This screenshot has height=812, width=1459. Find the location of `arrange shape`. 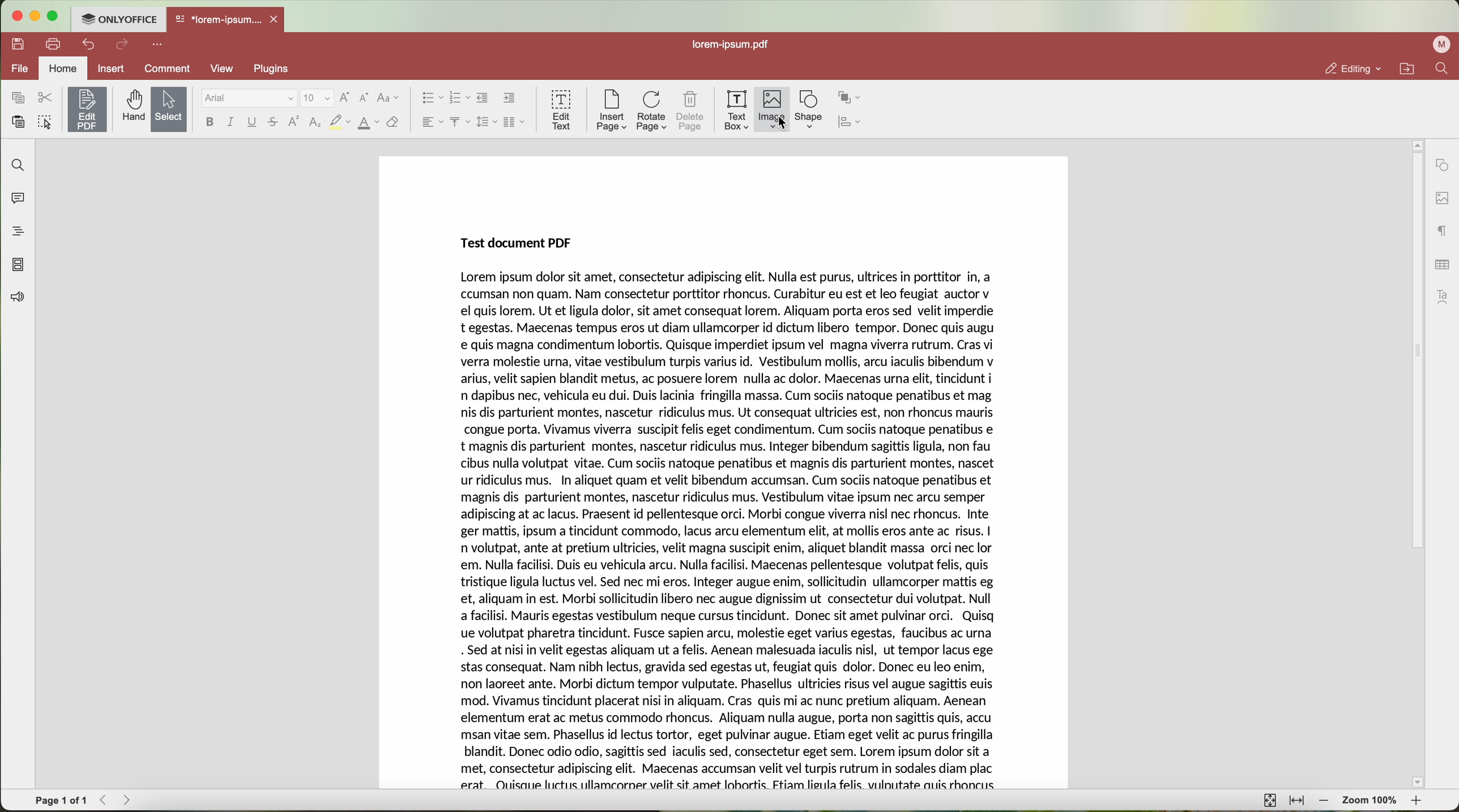

arrange shape is located at coordinates (850, 98).